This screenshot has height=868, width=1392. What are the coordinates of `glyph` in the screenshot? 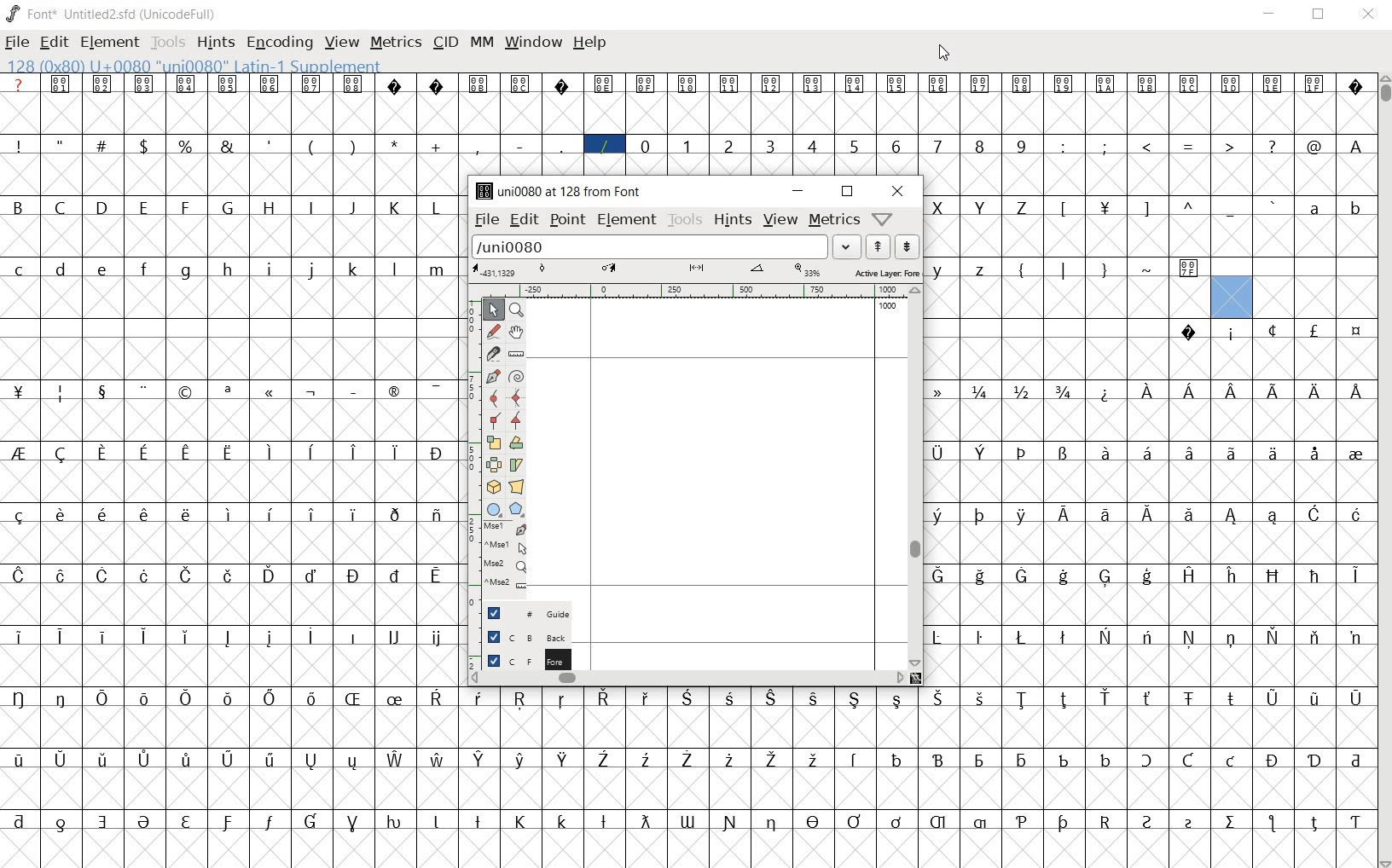 It's located at (1314, 824).